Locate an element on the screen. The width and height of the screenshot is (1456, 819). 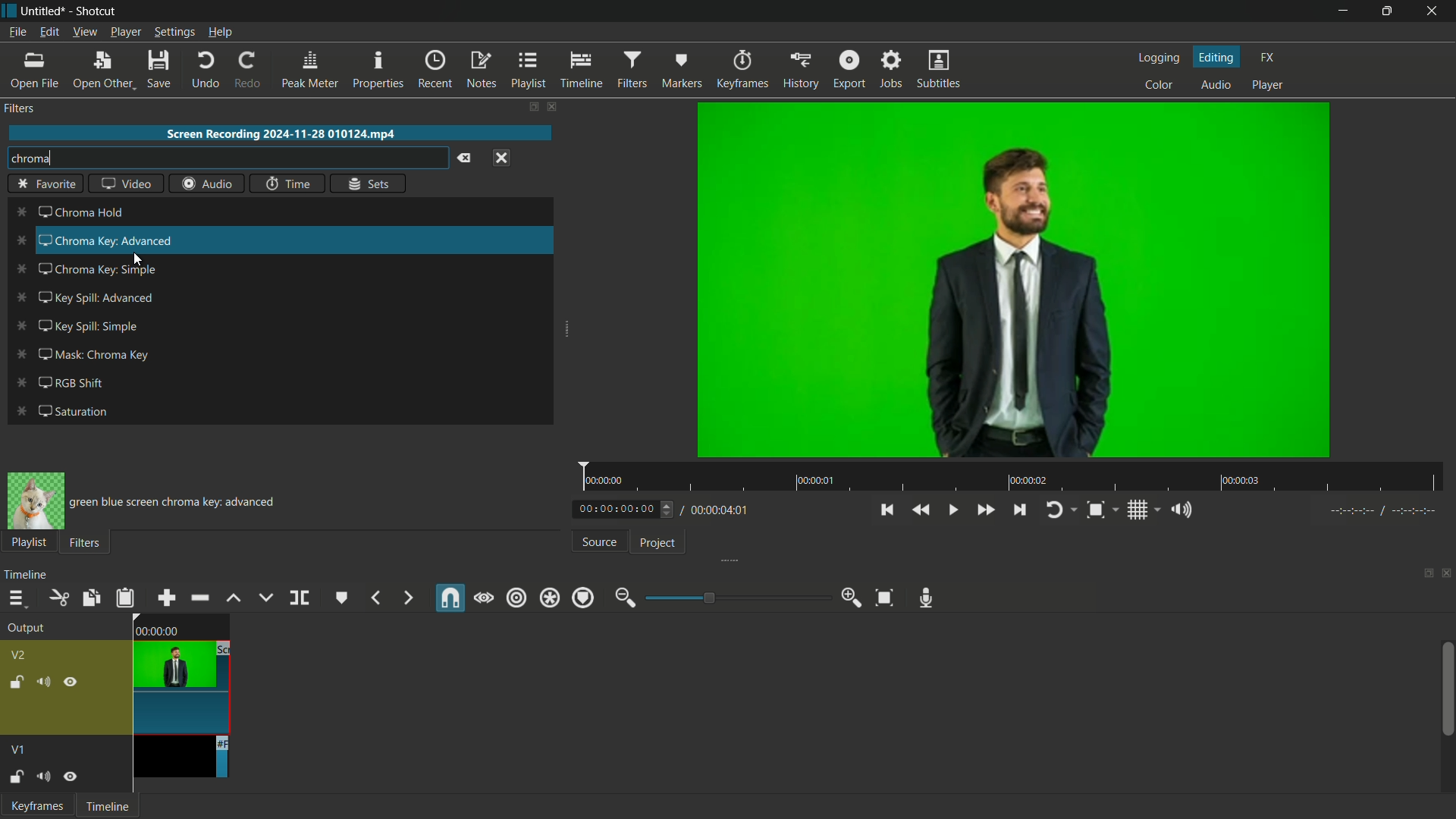
subtitles is located at coordinates (940, 69).